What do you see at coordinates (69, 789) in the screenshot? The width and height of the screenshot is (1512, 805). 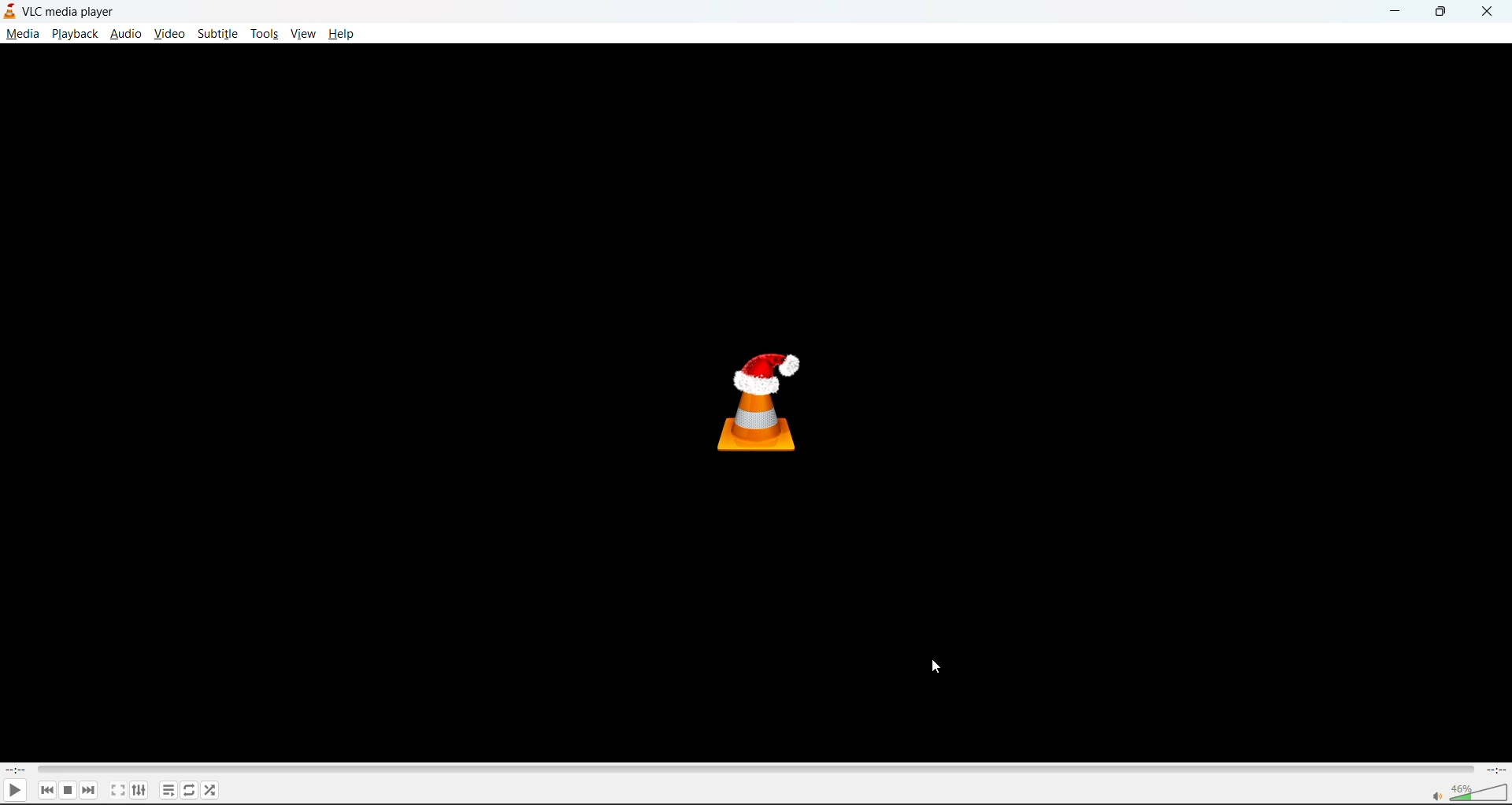 I see `stop` at bounding box center [69, 789].